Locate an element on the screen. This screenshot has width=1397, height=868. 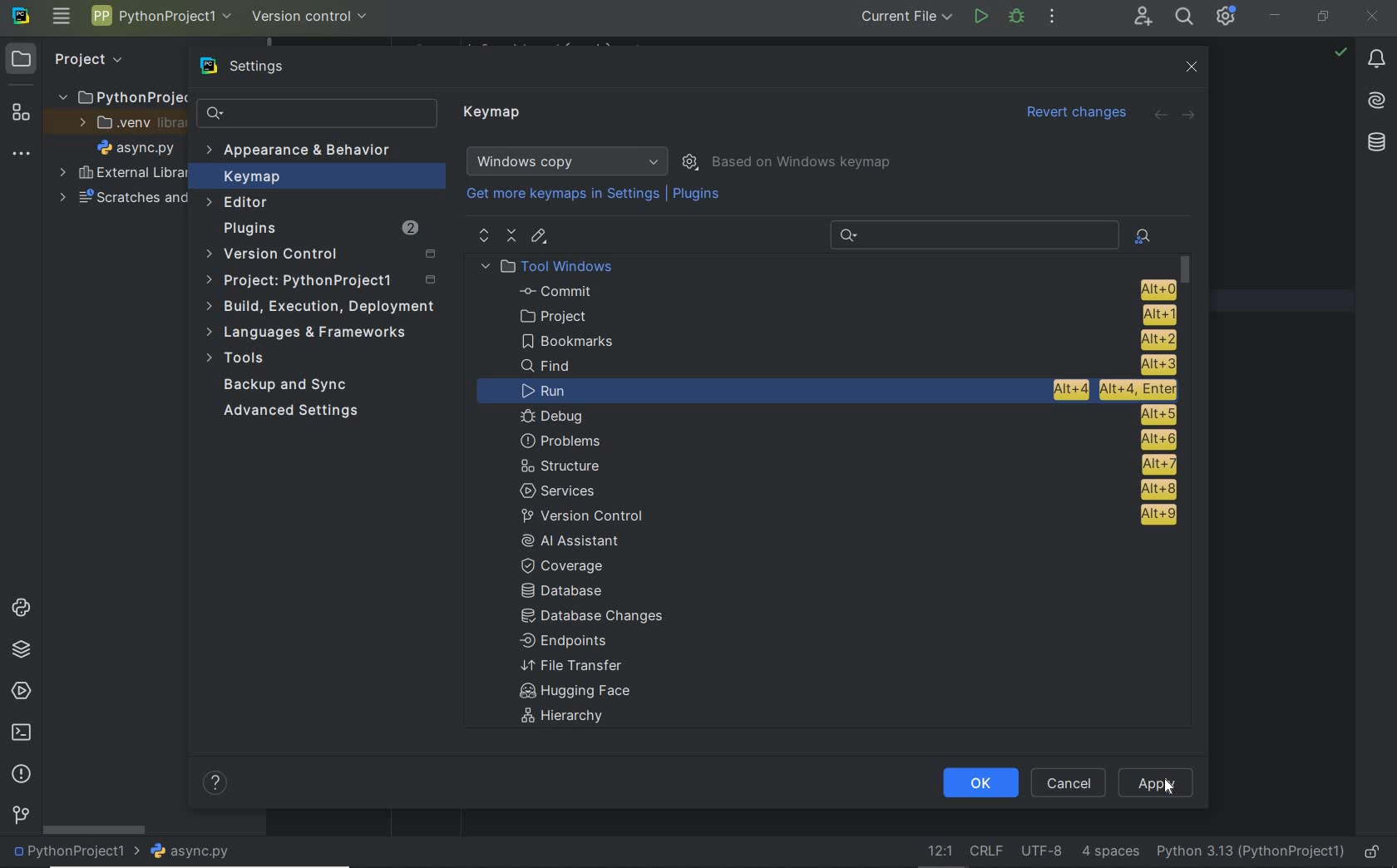
file name is located at coordinates (136, 147).